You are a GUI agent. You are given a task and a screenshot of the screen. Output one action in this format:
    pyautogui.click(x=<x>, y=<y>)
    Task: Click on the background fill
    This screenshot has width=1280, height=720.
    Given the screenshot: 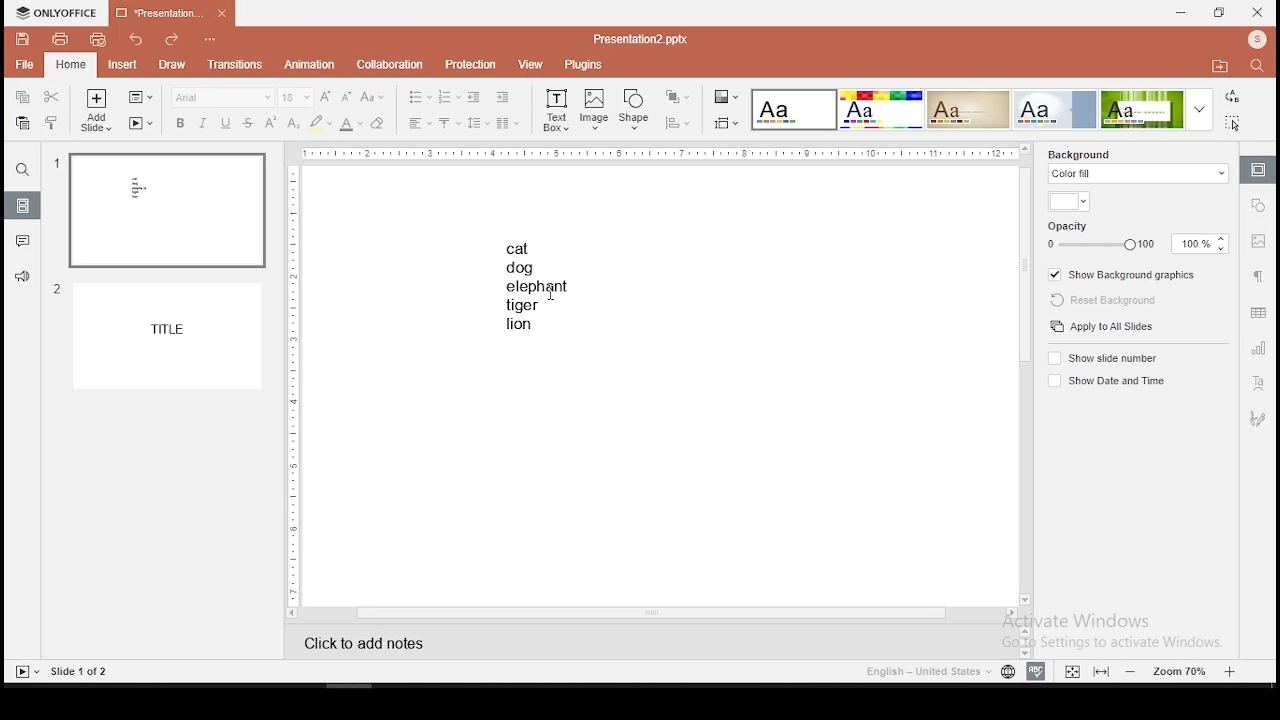 What is the action you would take?
    pyautogui.click(x=1135, y=168)
    